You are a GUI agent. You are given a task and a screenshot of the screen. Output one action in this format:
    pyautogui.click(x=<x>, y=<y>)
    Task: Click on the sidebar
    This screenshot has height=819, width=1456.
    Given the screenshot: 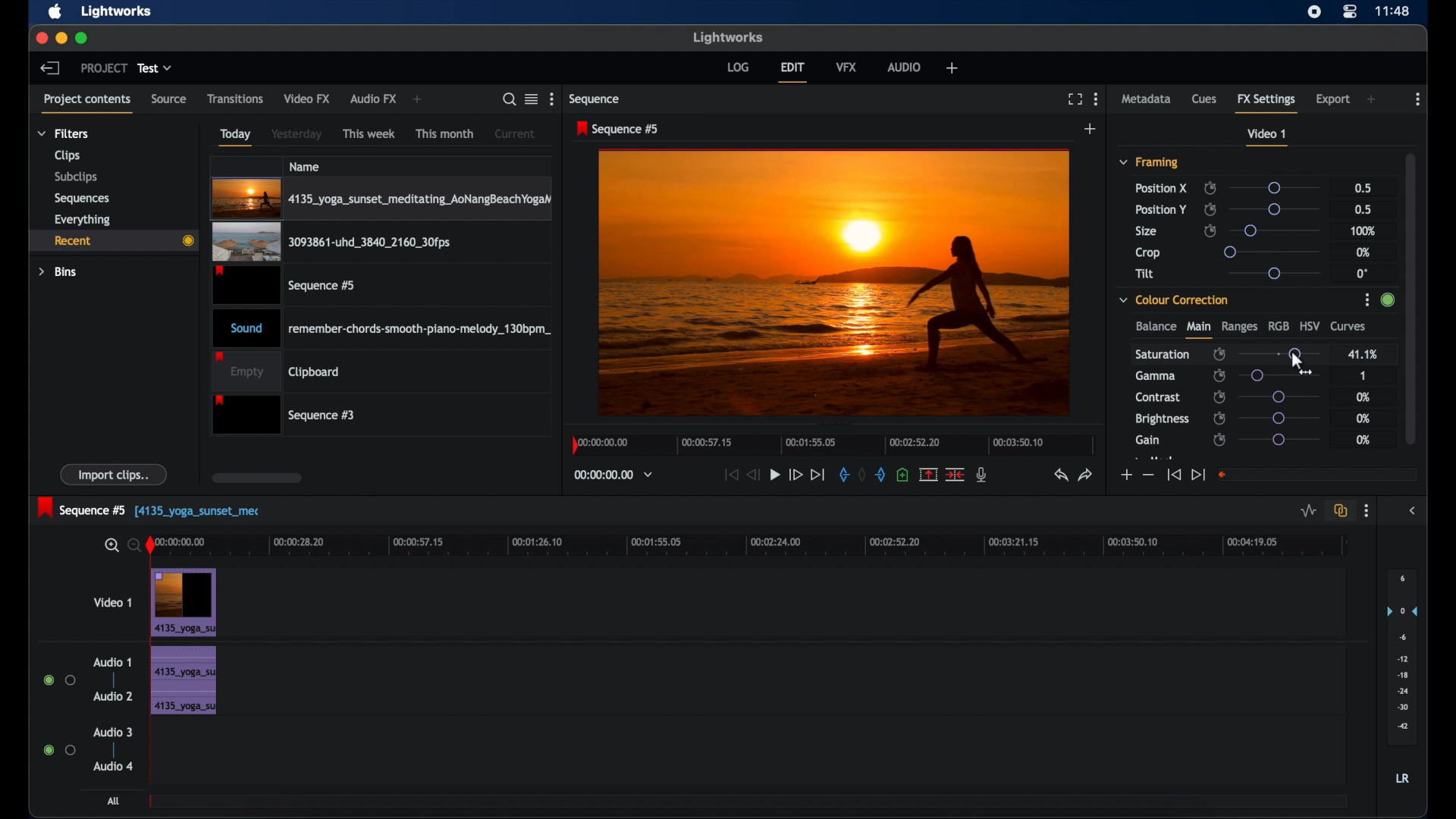 What is the action you would take?
    pyautogui.click(x=1414, y=511)
    